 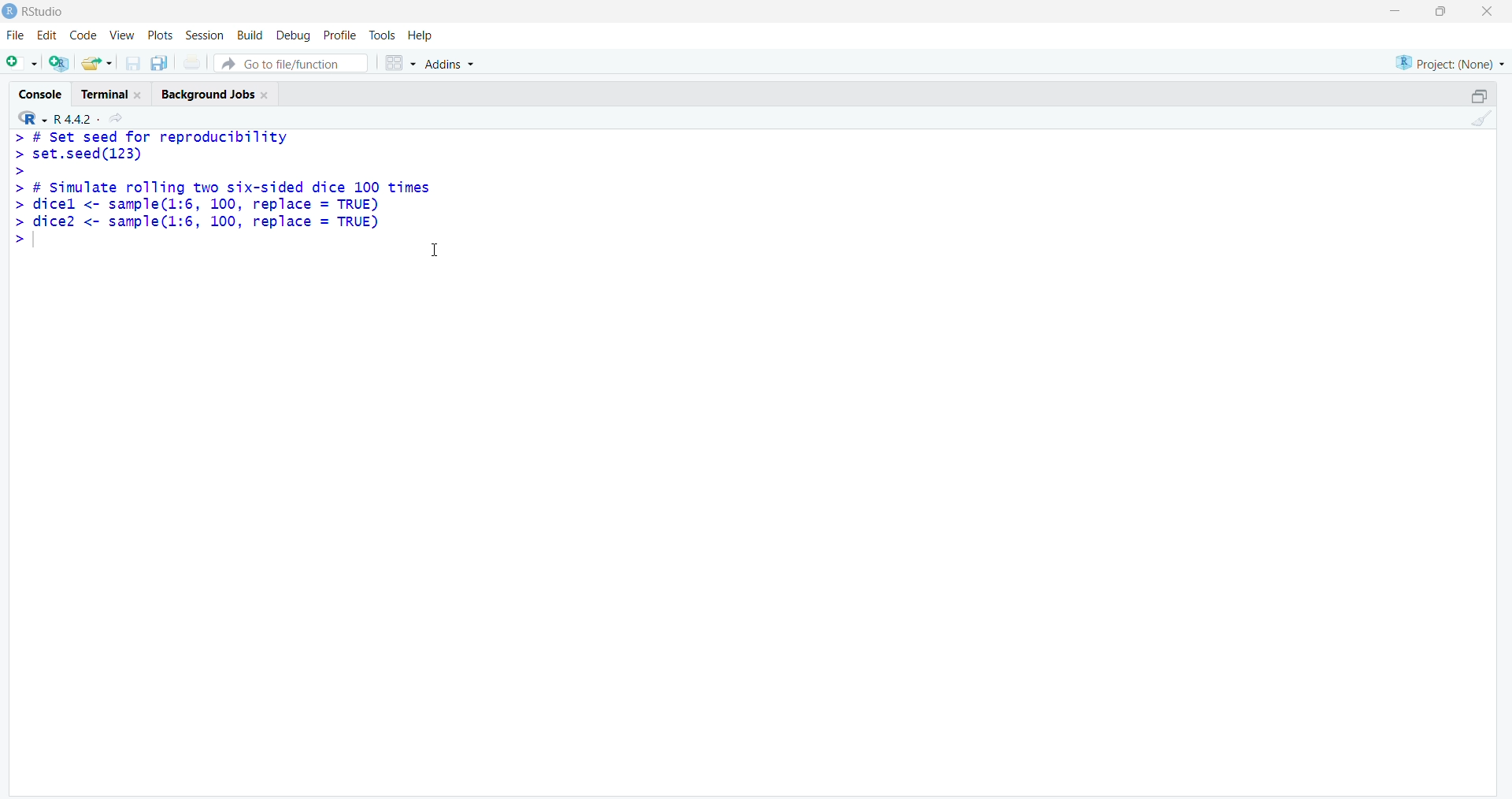 What do you see at coordinates (117, 119) in the screenshot?
I see `share icon ` at bounding box center [117, 119].